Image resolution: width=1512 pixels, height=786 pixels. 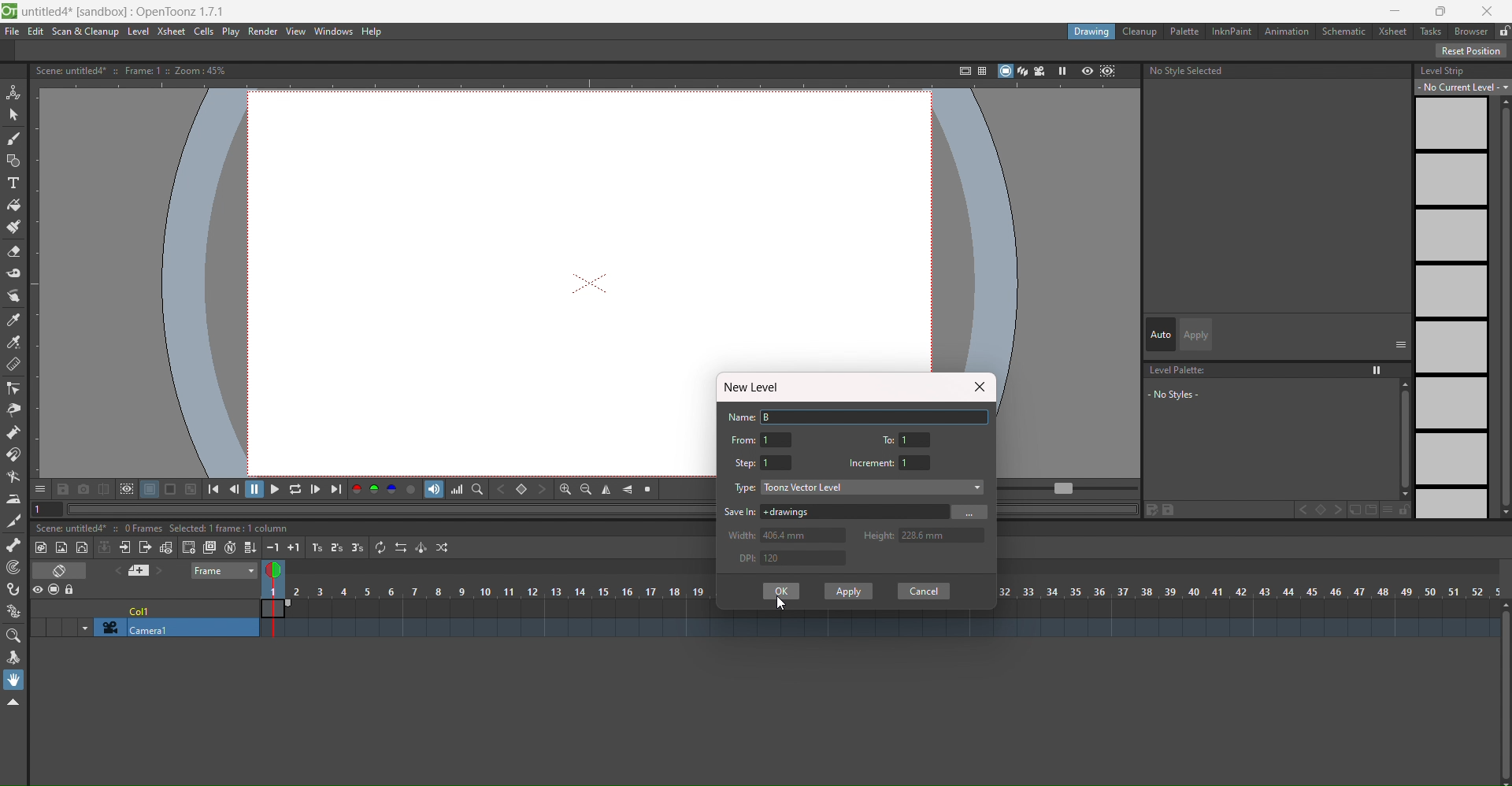 What do you see at coordinates (13, 115) in the screenshot?
I see `selection tool ` at bounding box center [13, 115].